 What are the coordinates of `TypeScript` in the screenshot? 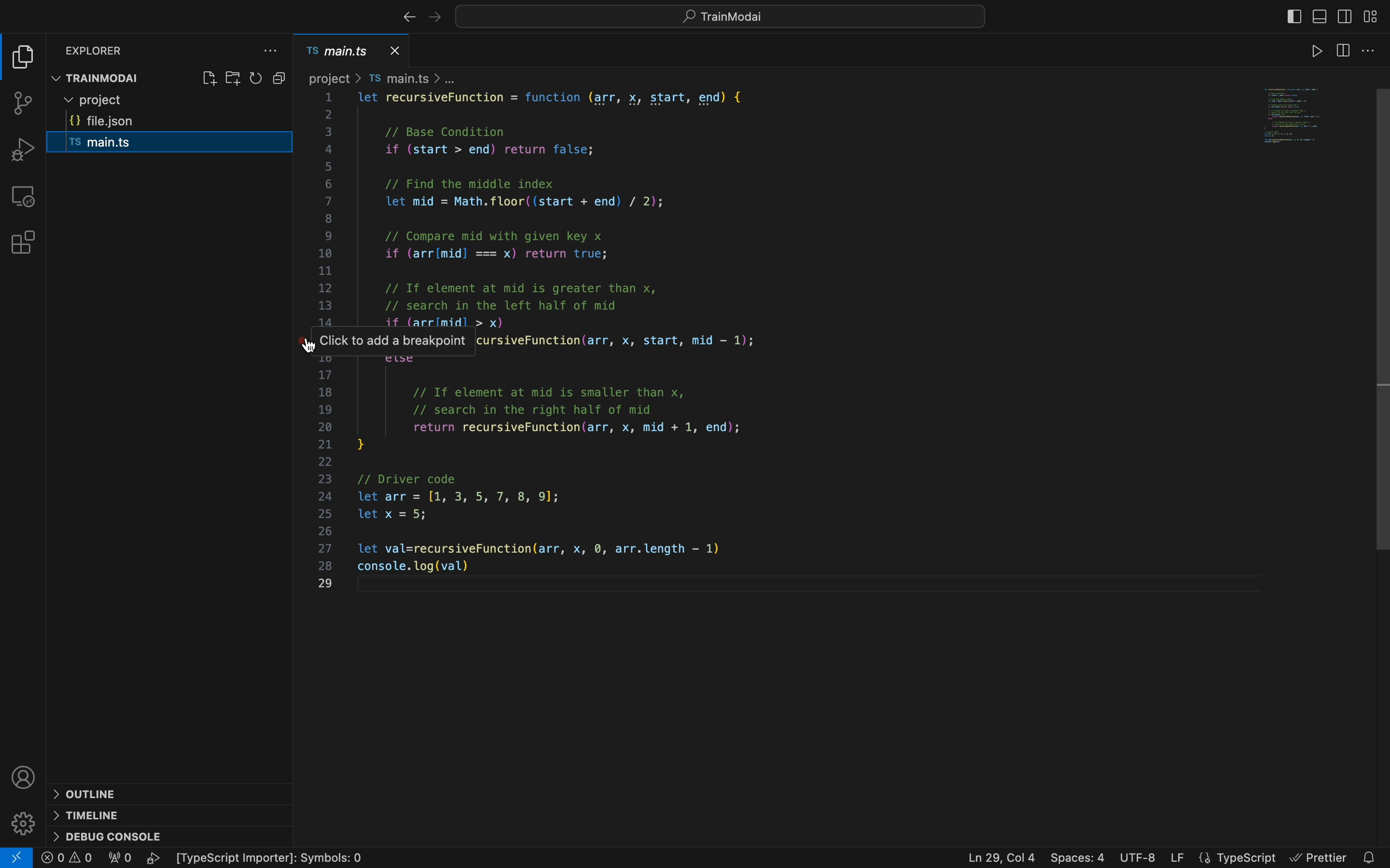 It's located at (1240, 853).